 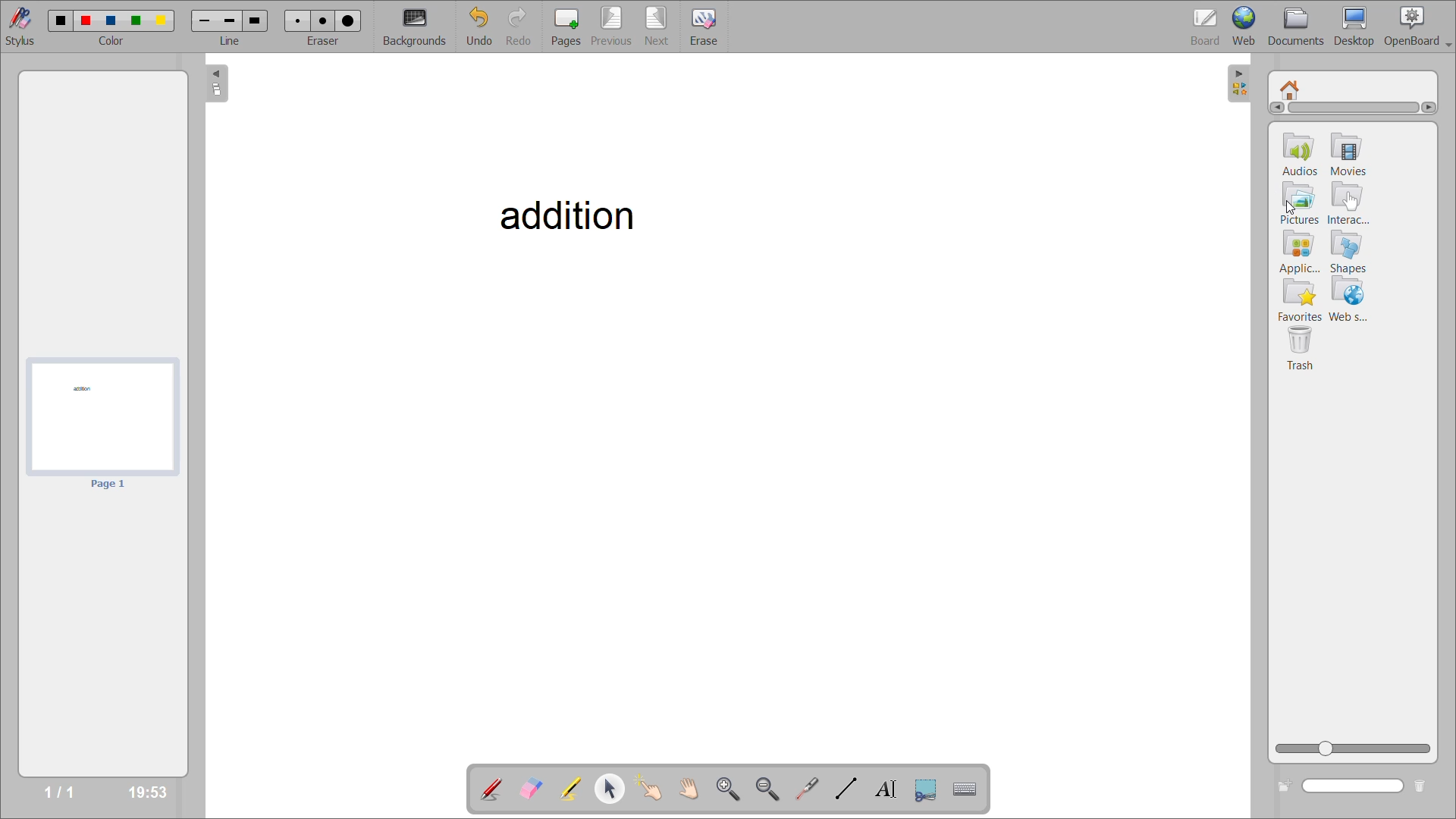 I want to click on hide sidebar, so click(x=1240, y=85).